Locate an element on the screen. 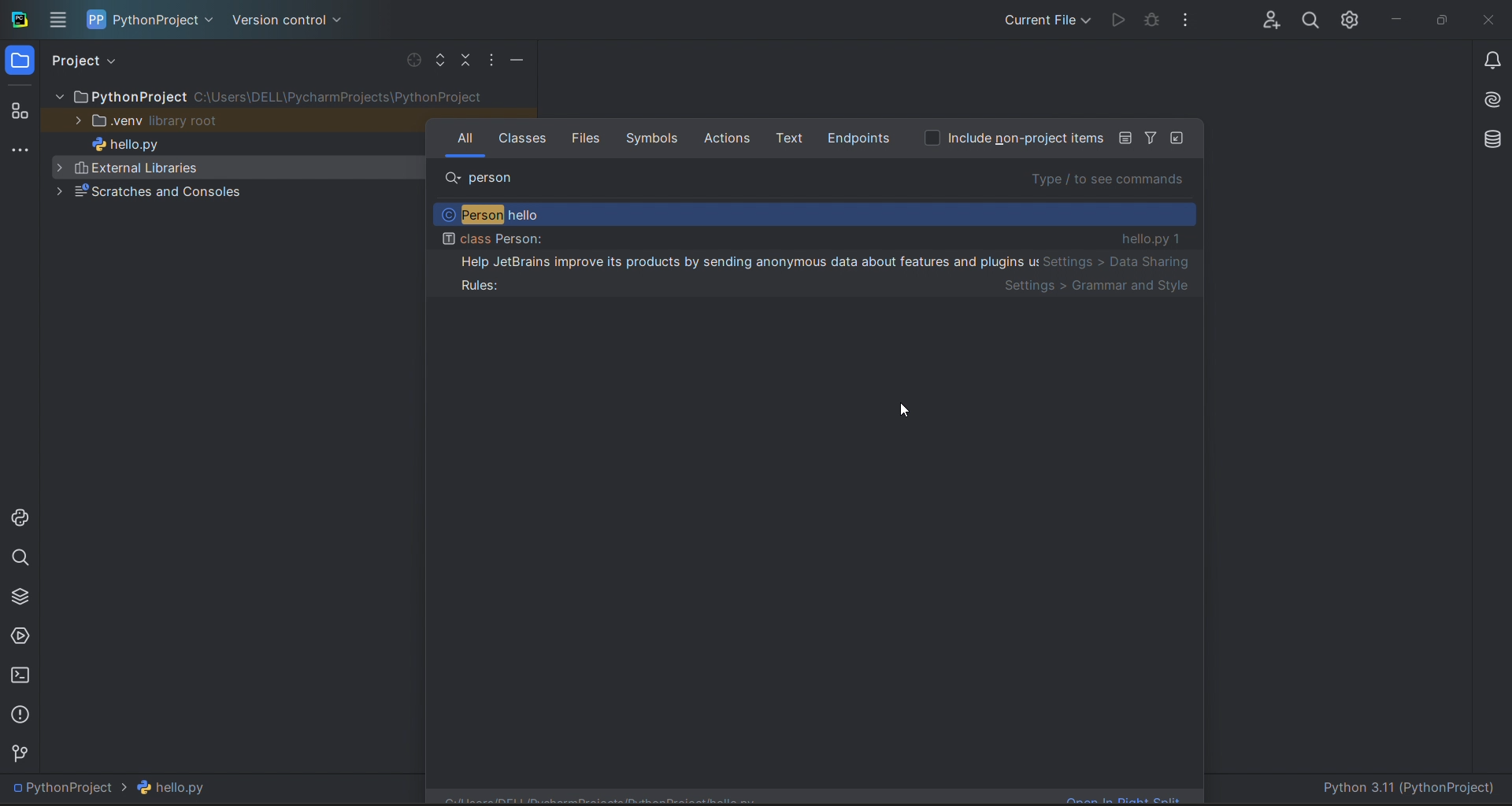 This screenshot has width=1512, height=806. project is located at coordinates (150, 20).